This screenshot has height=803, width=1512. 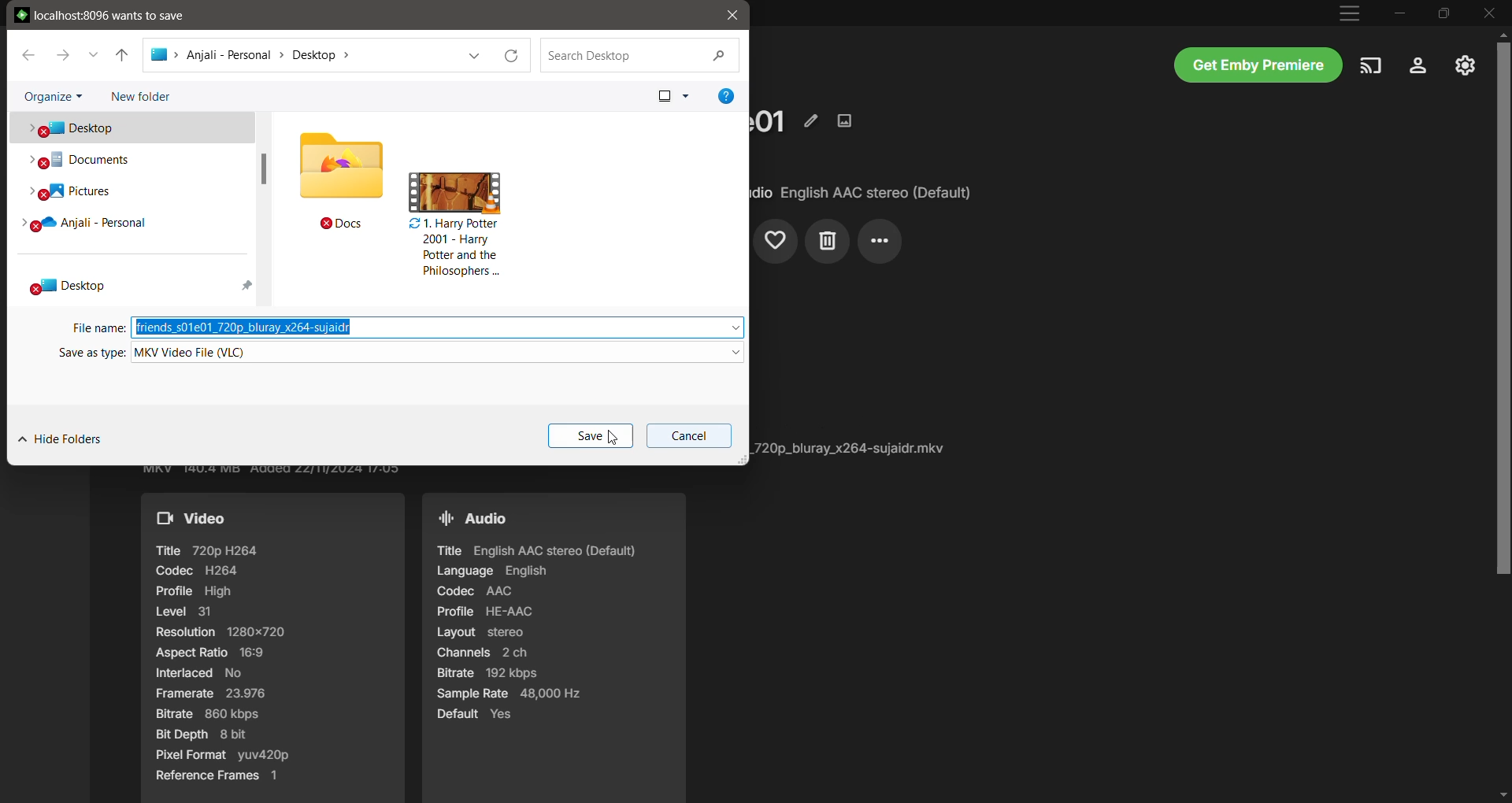 What do you see at coordinates (853, 448) in the screenshot?
I see `Media Info` at bounding box center [853, 448].